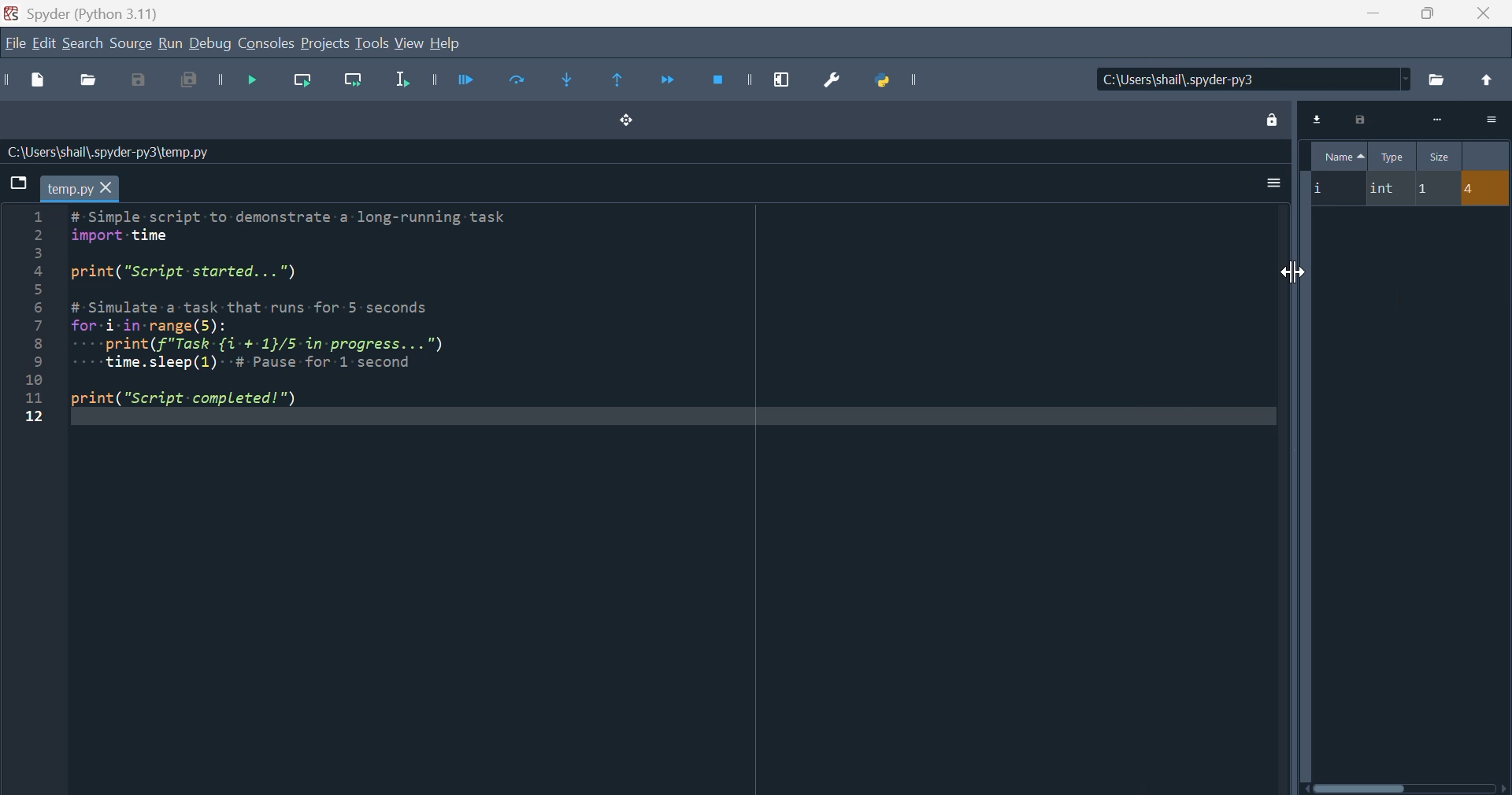  Describe the element at coordinates (1486, 156) in the screenshot. I see `Value` at that location.